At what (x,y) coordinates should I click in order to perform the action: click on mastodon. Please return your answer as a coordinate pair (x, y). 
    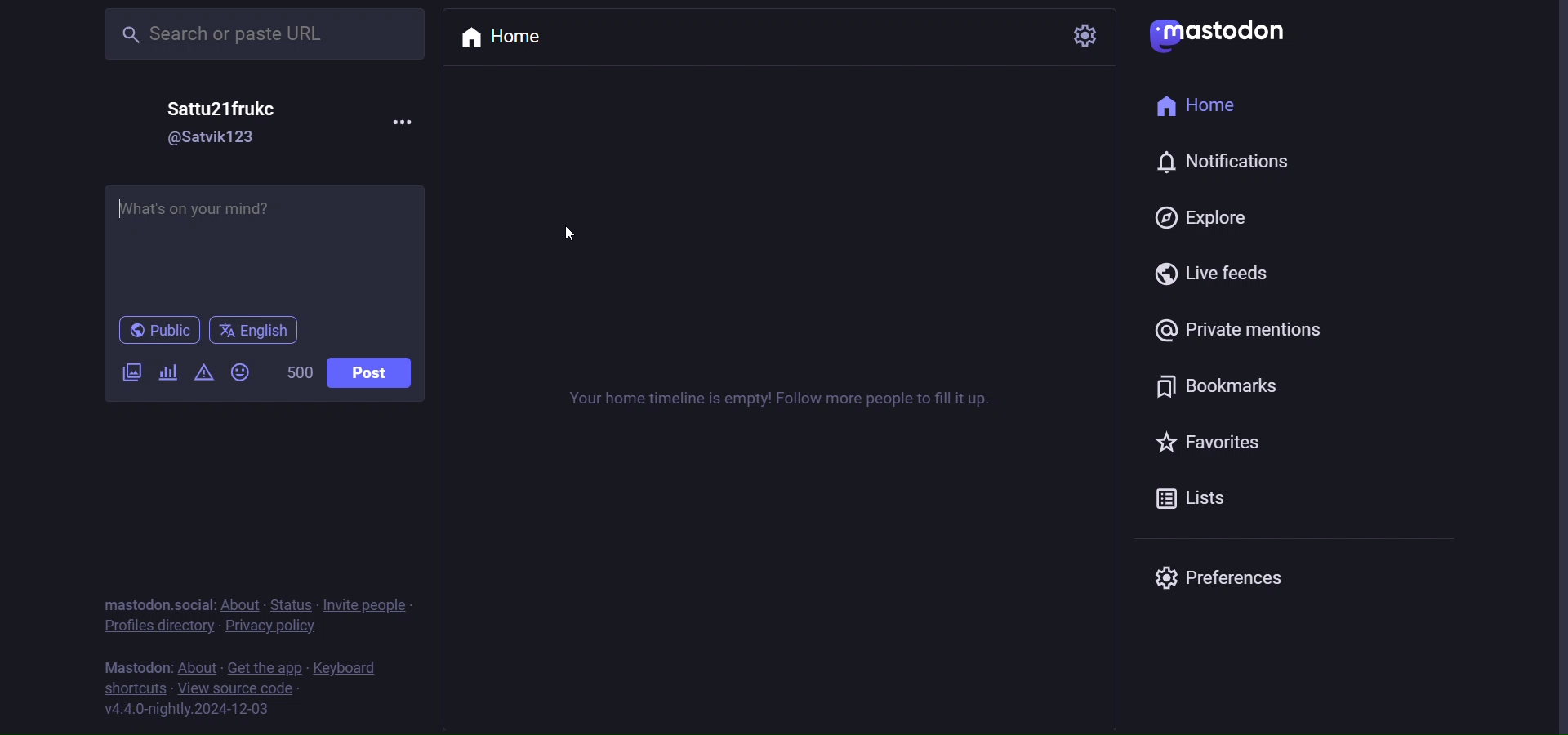
    Looking at the image, I should click on (1220, 35).